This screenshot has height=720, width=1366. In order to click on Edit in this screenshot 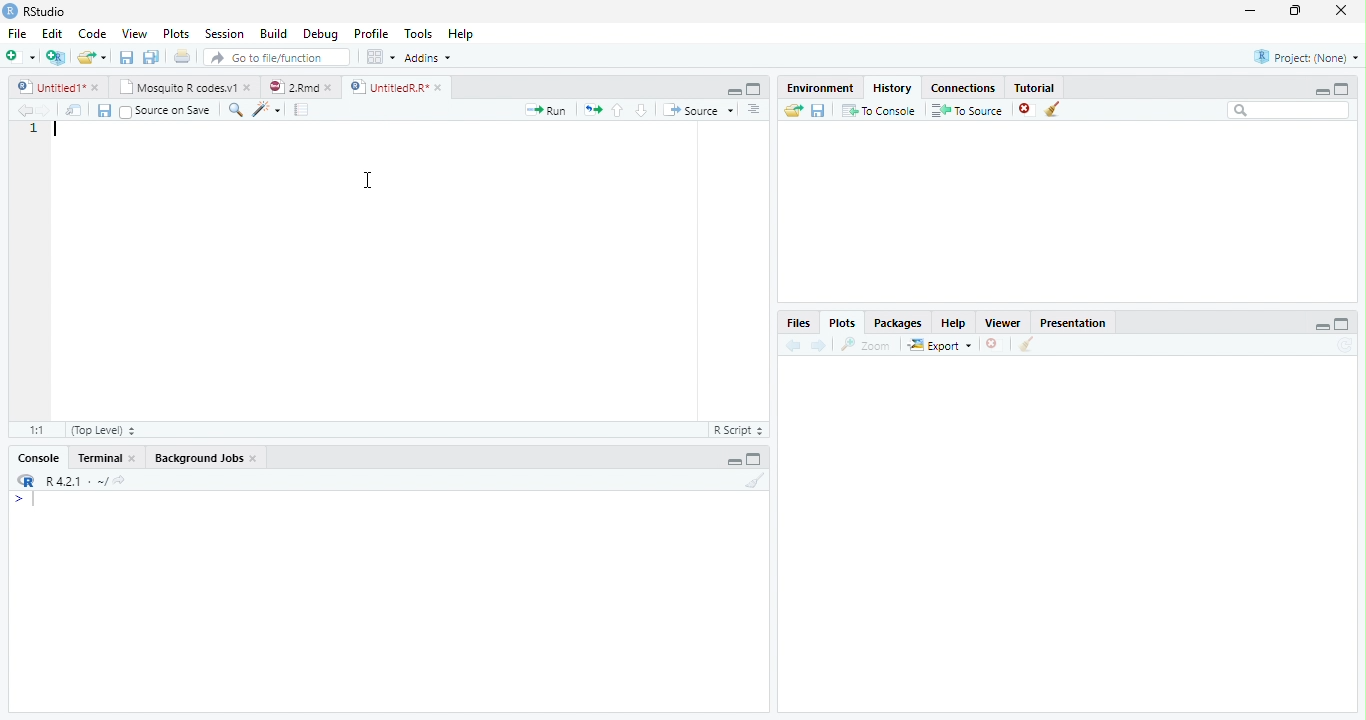, I will do `click(52, 34)`.